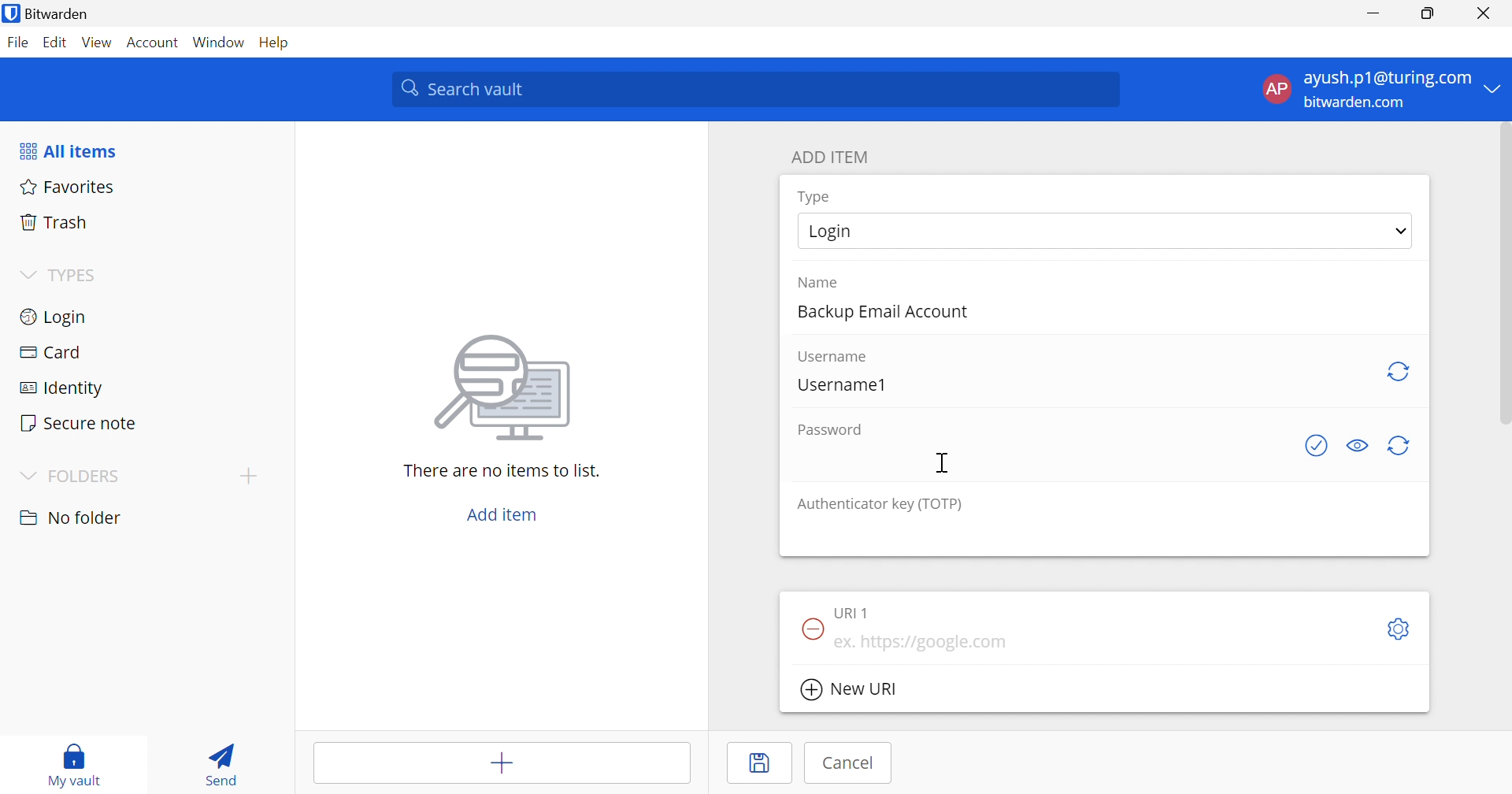  What do you see at coordinates (225, 763) in the screenshot?
I see `Send` at bounding box center [225, 763].